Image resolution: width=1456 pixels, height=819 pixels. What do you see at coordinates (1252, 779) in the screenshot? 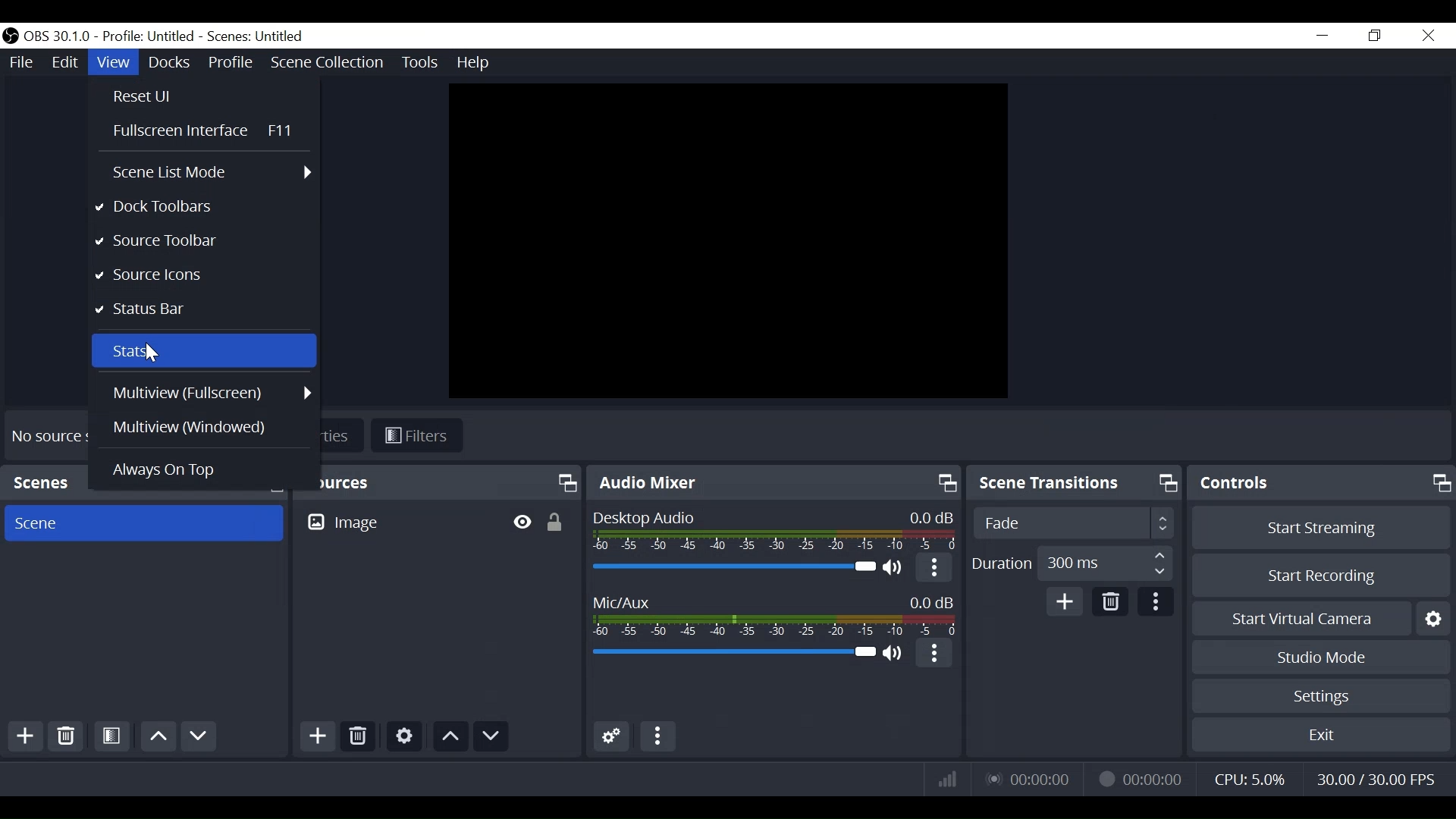
I see `CPU Usage` at bounding box center [1252, 779].